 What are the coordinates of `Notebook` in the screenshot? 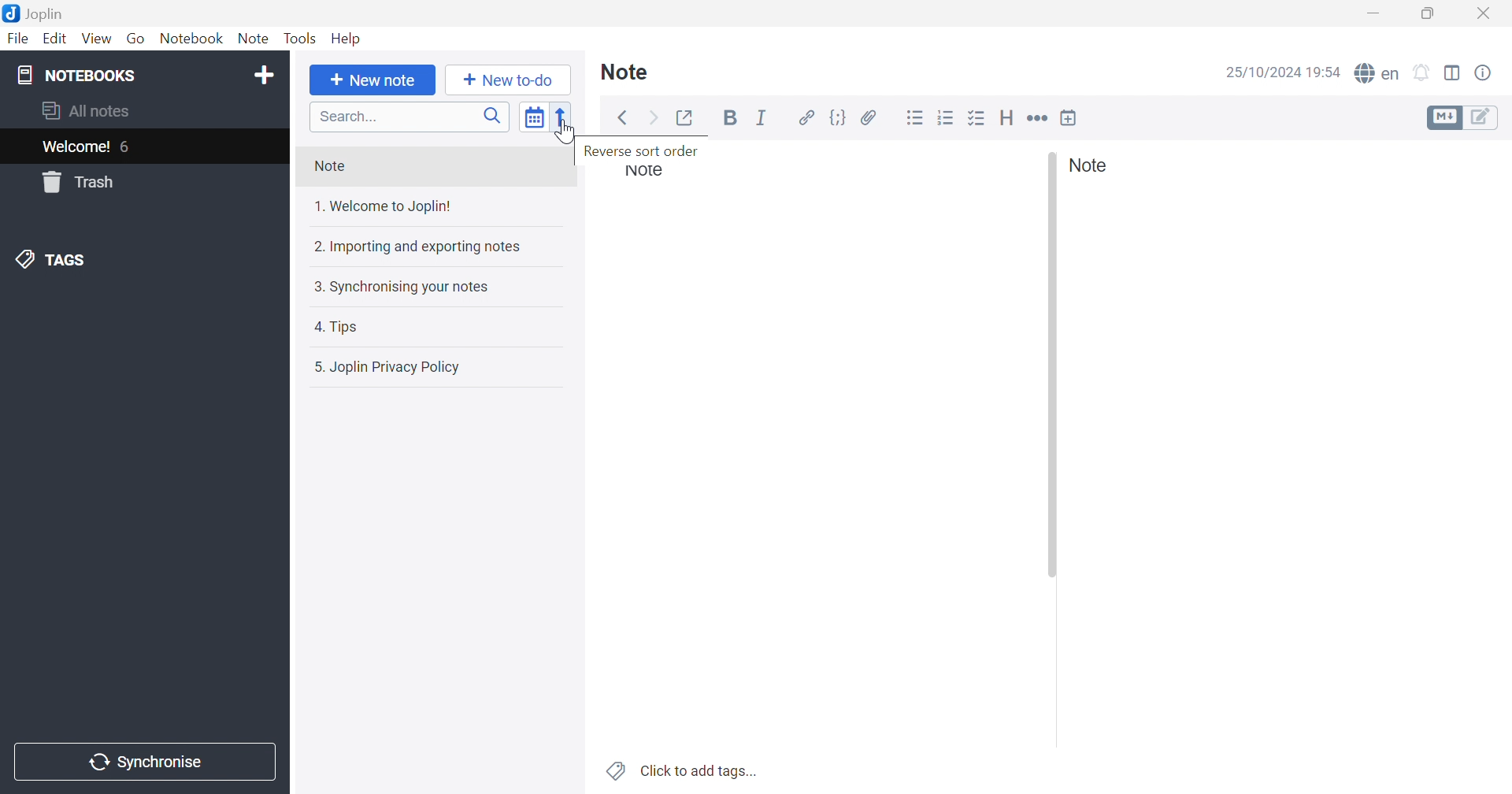 It's located at (192, 39).